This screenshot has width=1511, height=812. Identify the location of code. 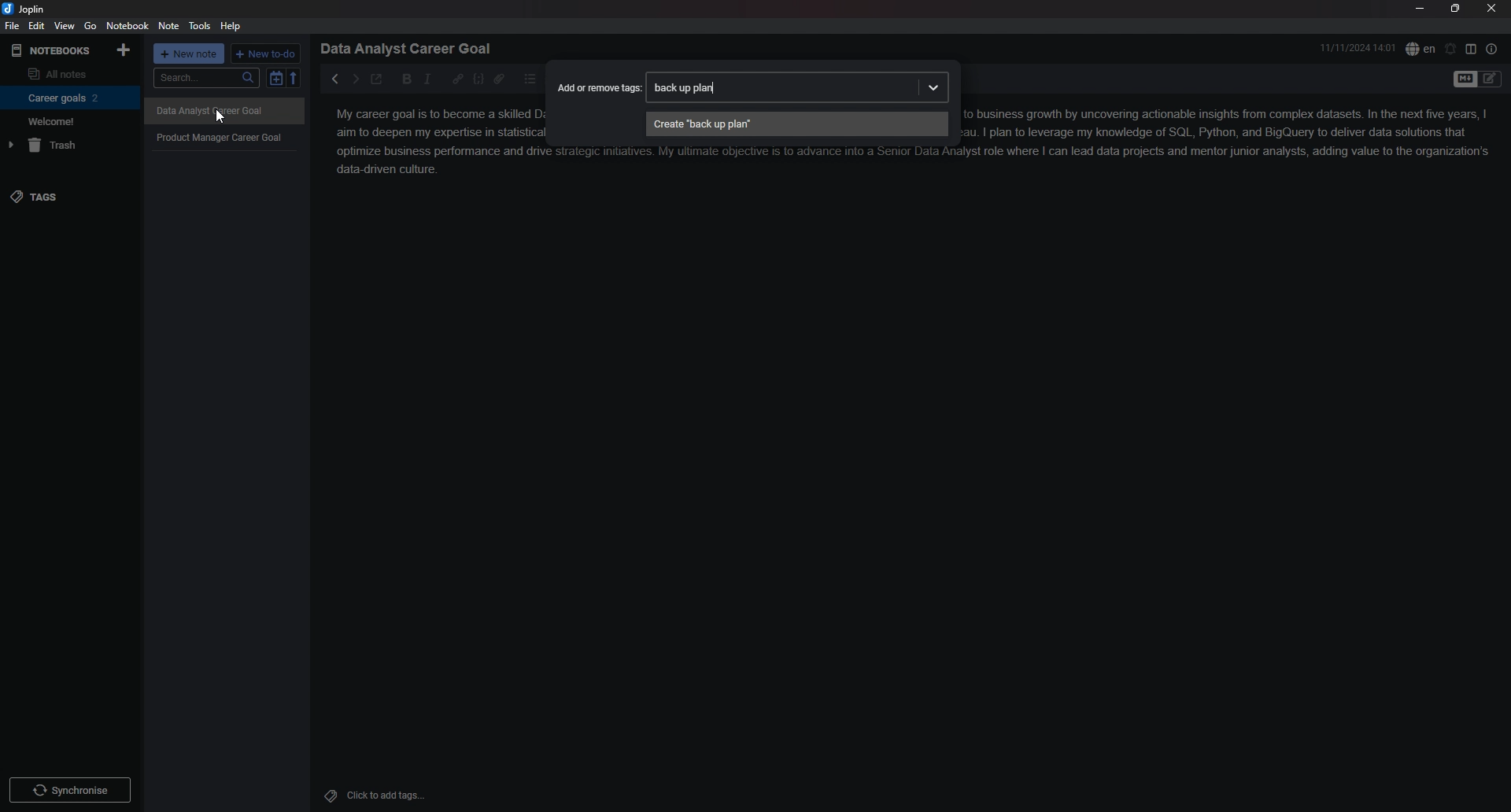
(478, 79).